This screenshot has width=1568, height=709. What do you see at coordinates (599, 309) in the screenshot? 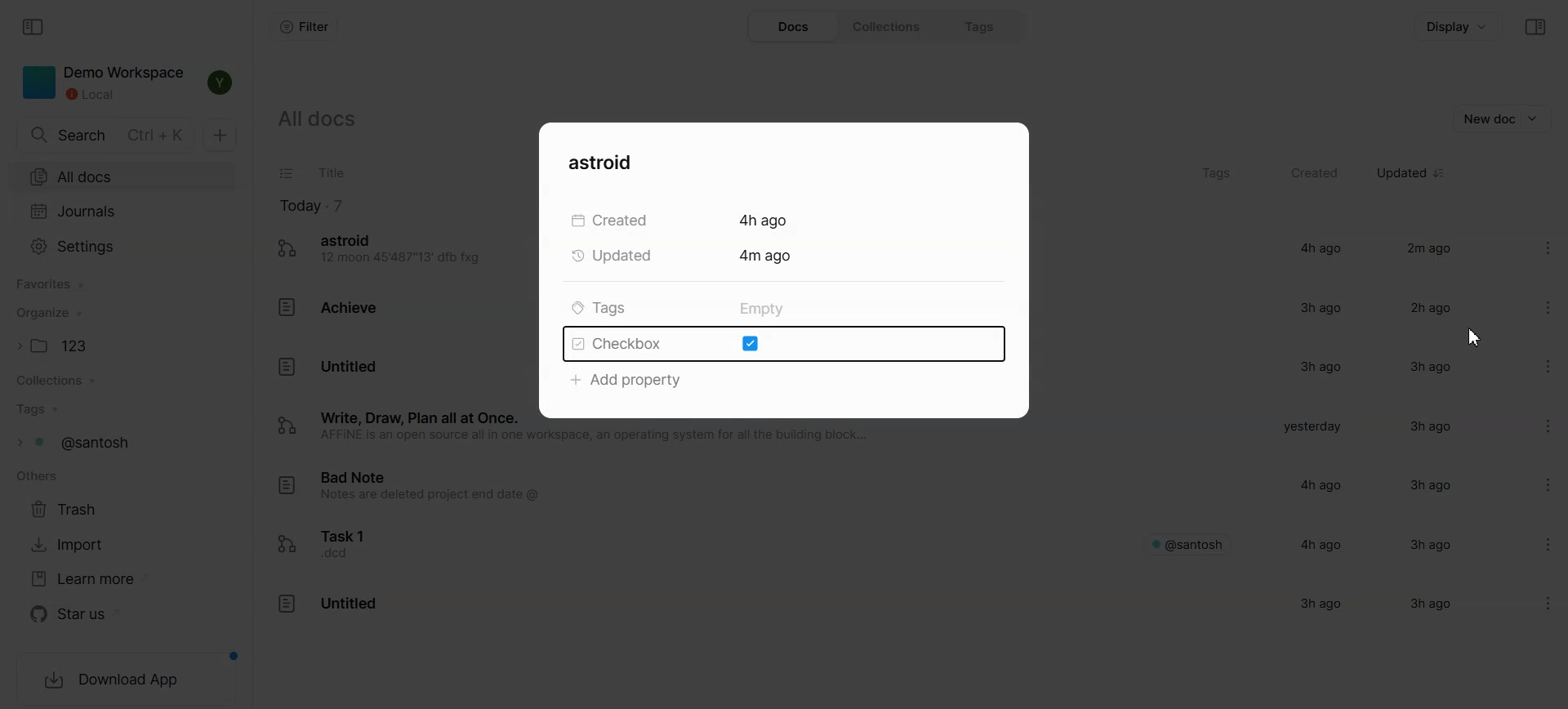
I see `tags` at bounding box center [599, 309].